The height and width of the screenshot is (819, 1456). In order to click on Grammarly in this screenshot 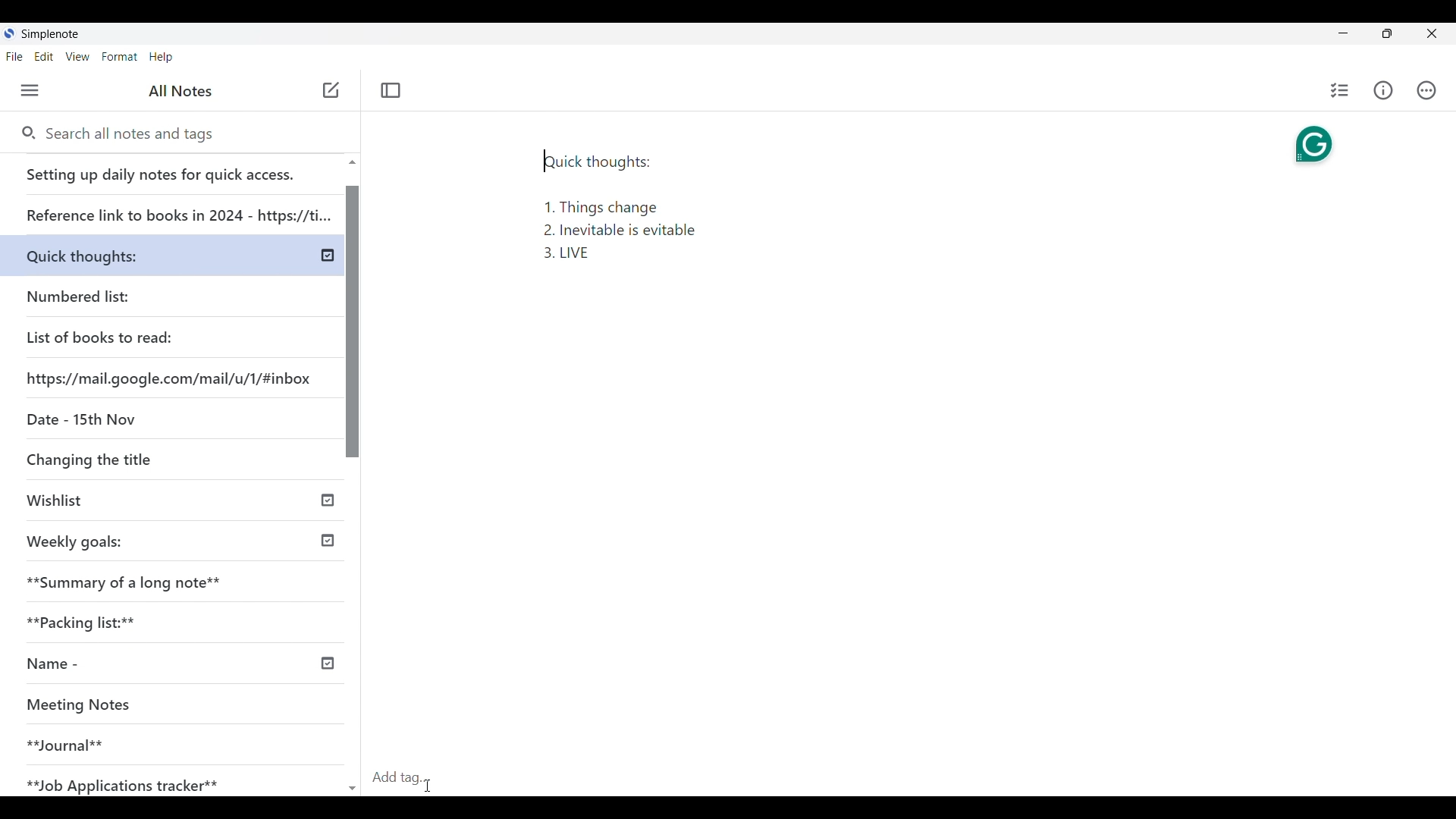, I will do `click(1316, 144)`.